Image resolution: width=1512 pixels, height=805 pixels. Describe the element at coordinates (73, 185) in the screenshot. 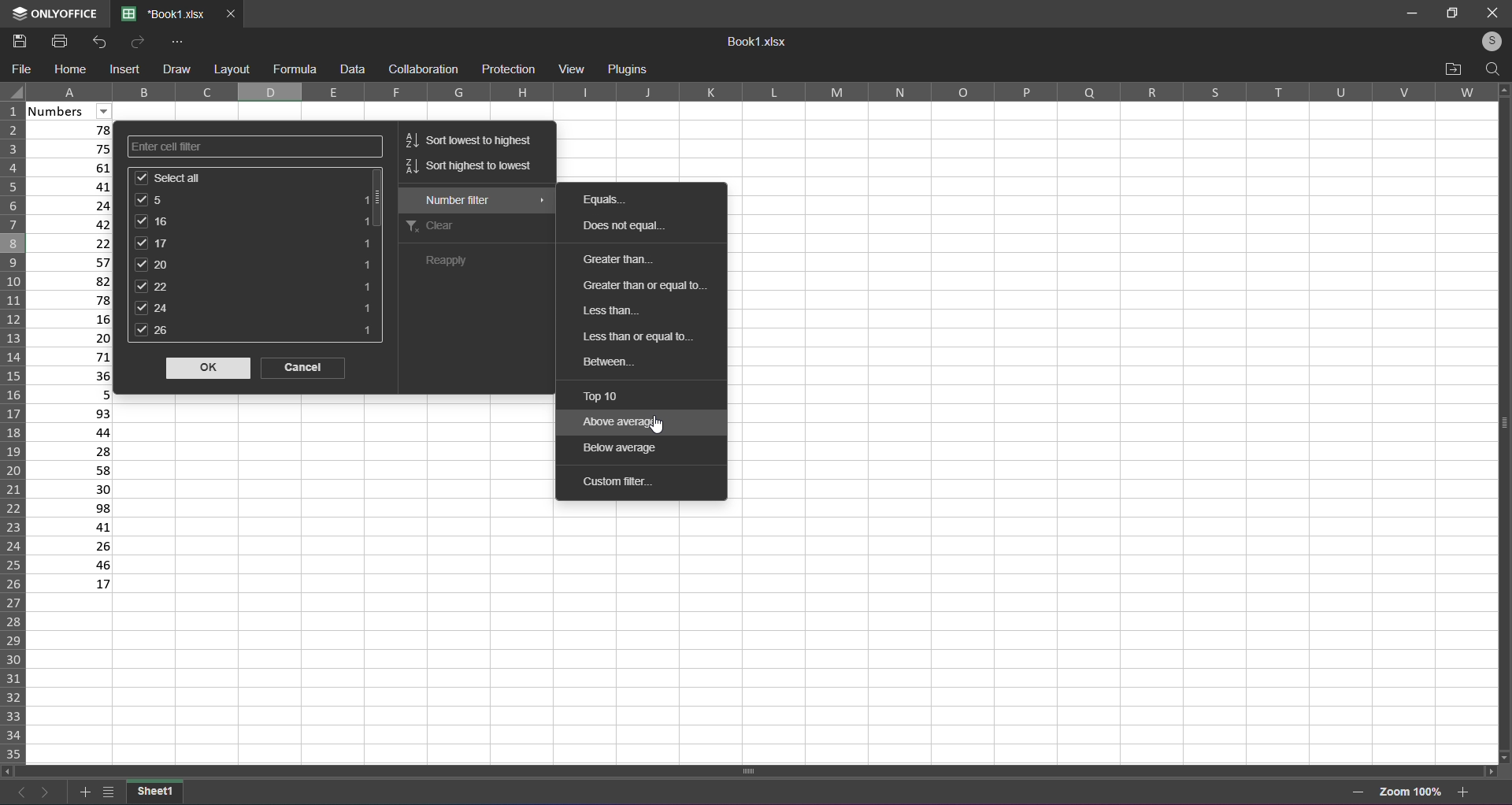

I see `41` at that location.